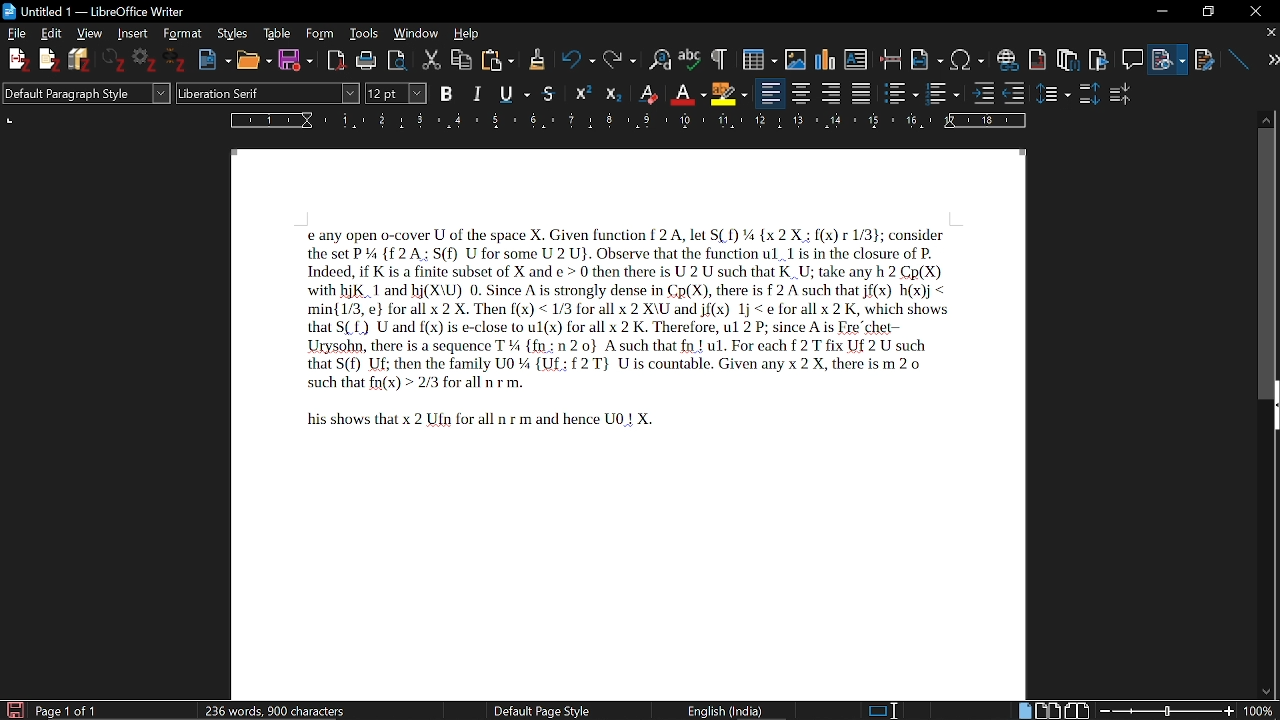 The image size is (1280, 720). What do you see at coordinates (112, 9) in the screenshot?
I see `Untitled - LibreOffice Writer` at bounding box center [112, 9].